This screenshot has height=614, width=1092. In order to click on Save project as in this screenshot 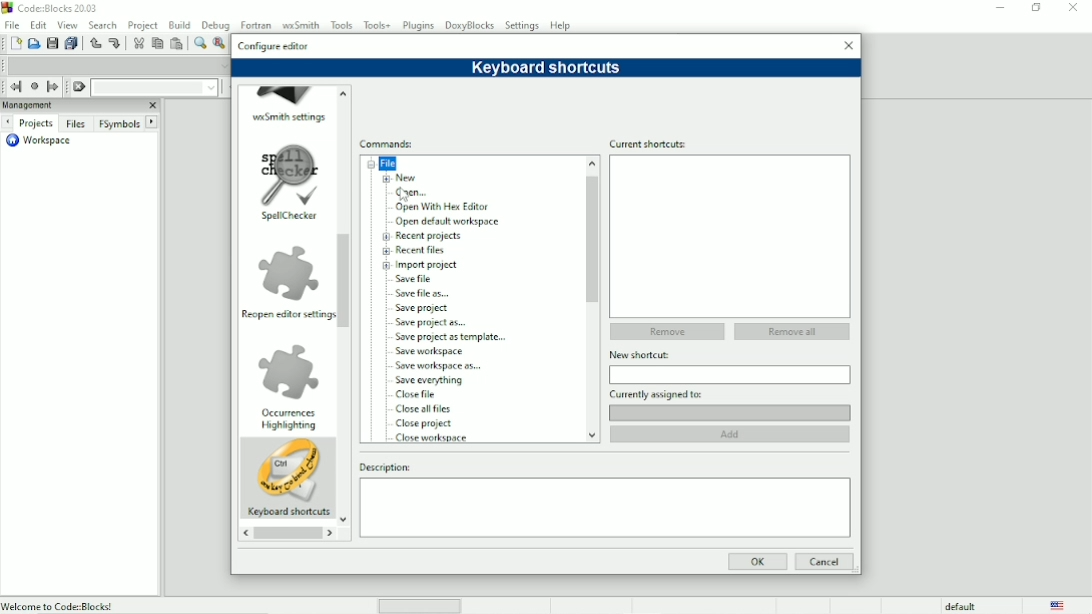, I will do `click(434, 323)`.